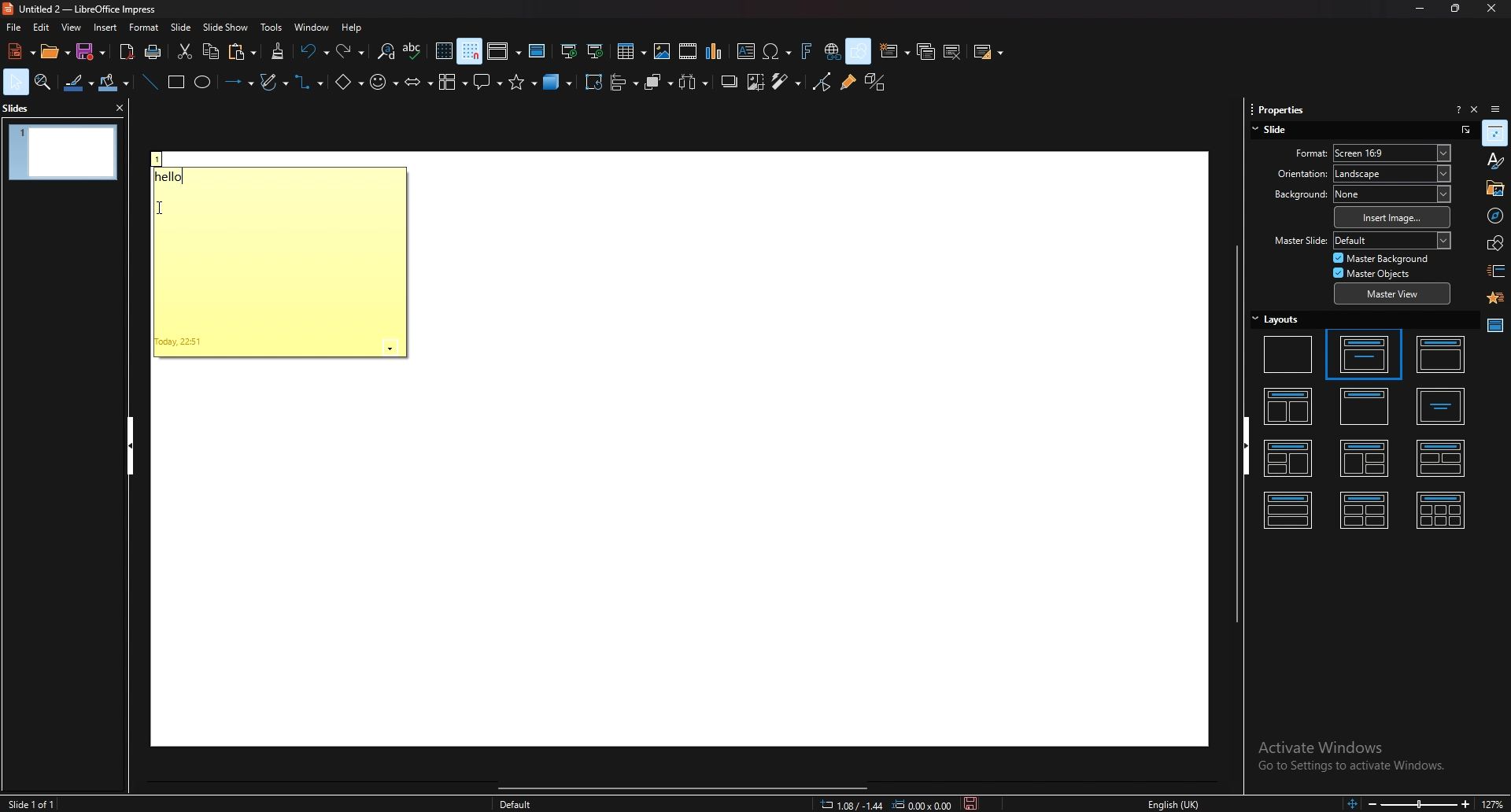  I want to click on resize, so click(1453, 9).